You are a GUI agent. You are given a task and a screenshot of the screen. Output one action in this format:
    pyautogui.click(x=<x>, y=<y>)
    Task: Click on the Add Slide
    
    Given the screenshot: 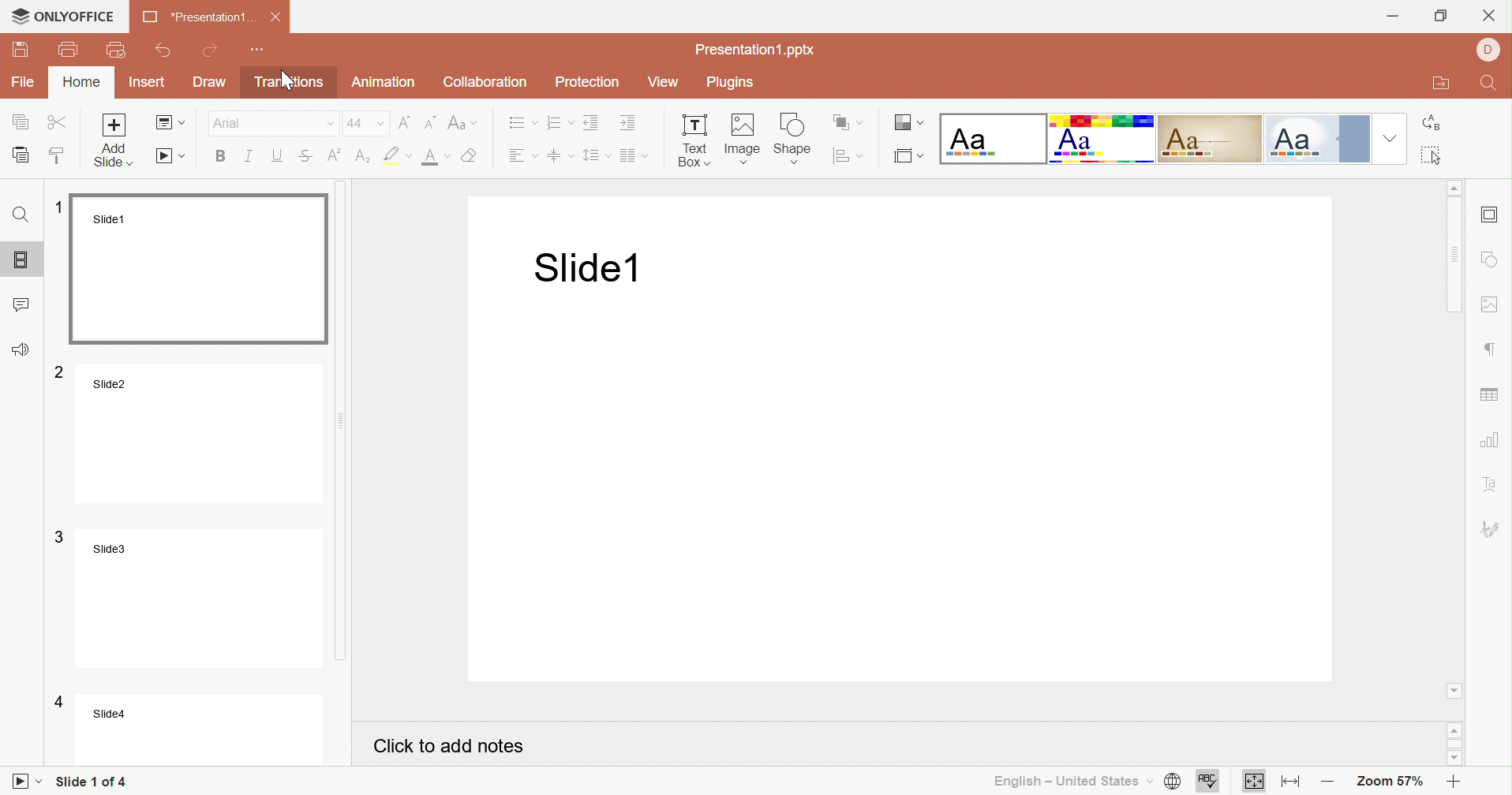 What is the action you would take?
    pyautogui.click(x=115, y=140)
    